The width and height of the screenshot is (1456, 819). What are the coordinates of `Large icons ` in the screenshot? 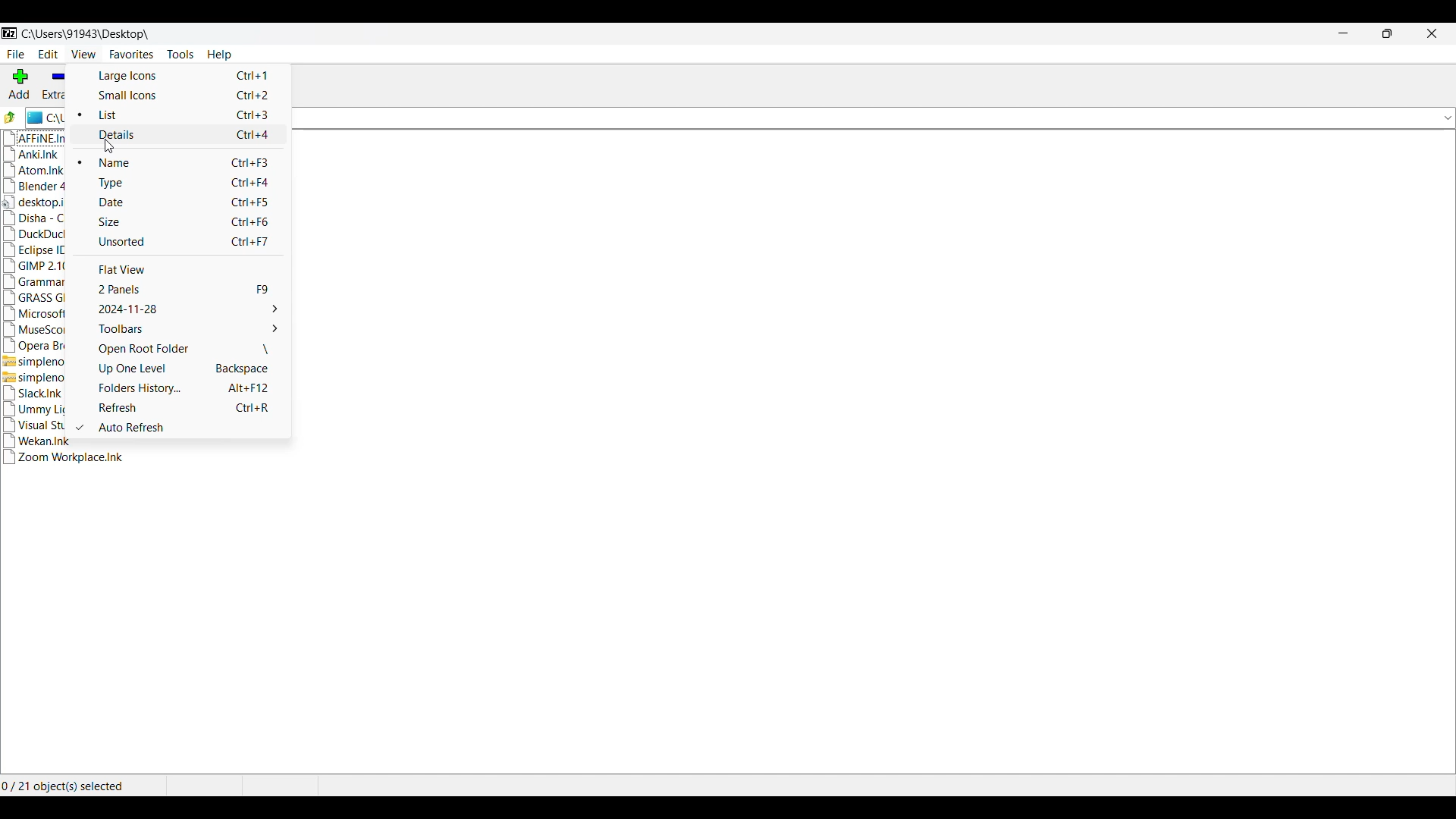 It's located at (180, 76).